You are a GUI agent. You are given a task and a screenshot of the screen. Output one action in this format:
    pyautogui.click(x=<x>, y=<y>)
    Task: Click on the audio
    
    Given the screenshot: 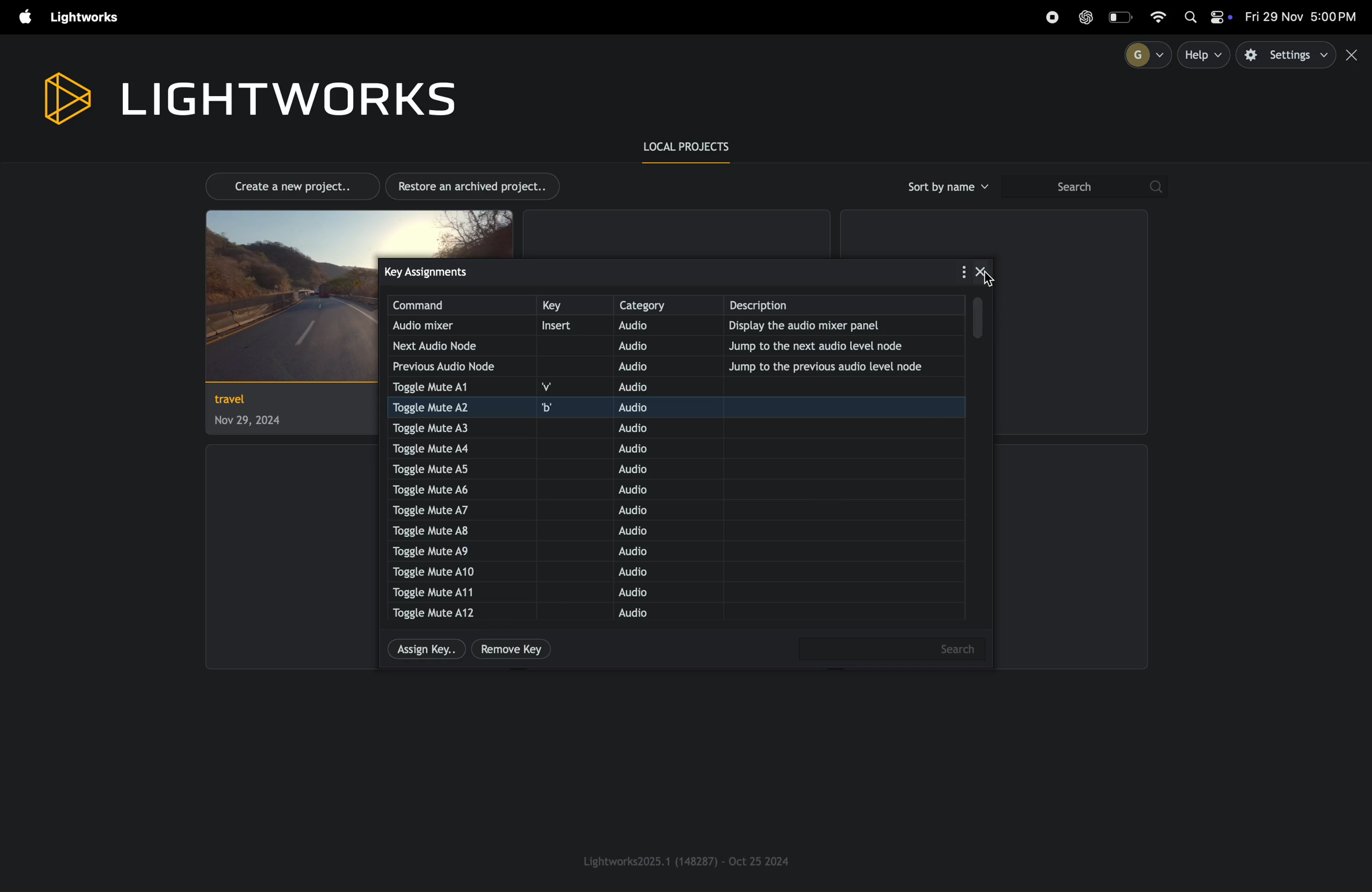 What is the action you would take?
    pyautogui.click(x=652, y=346)
    